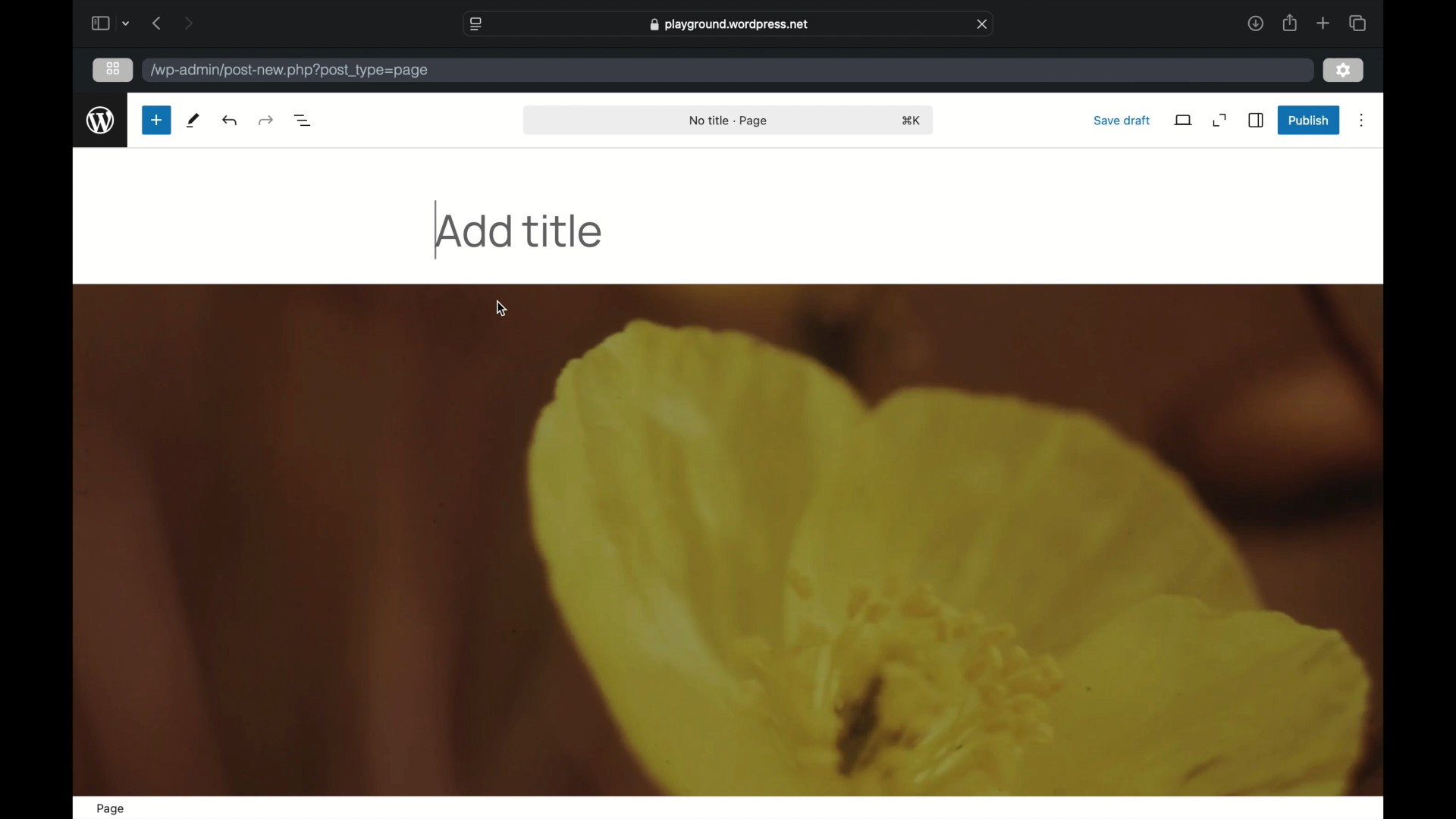 This screenshot has height=819, width=1456. I want to click on new, so click(156, 121).